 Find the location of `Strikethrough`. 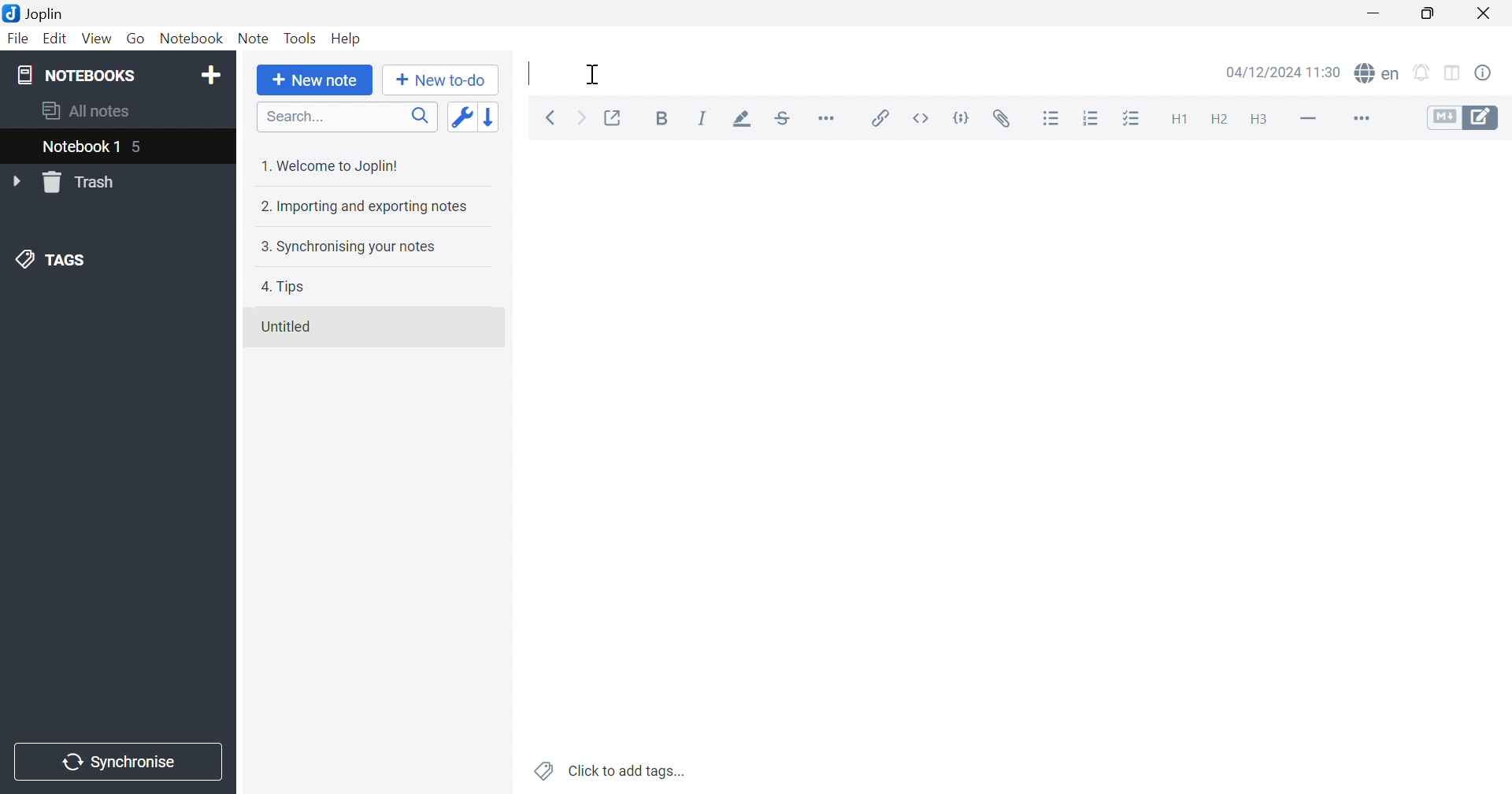

Strikethrough is located at coordinates (782, 121).